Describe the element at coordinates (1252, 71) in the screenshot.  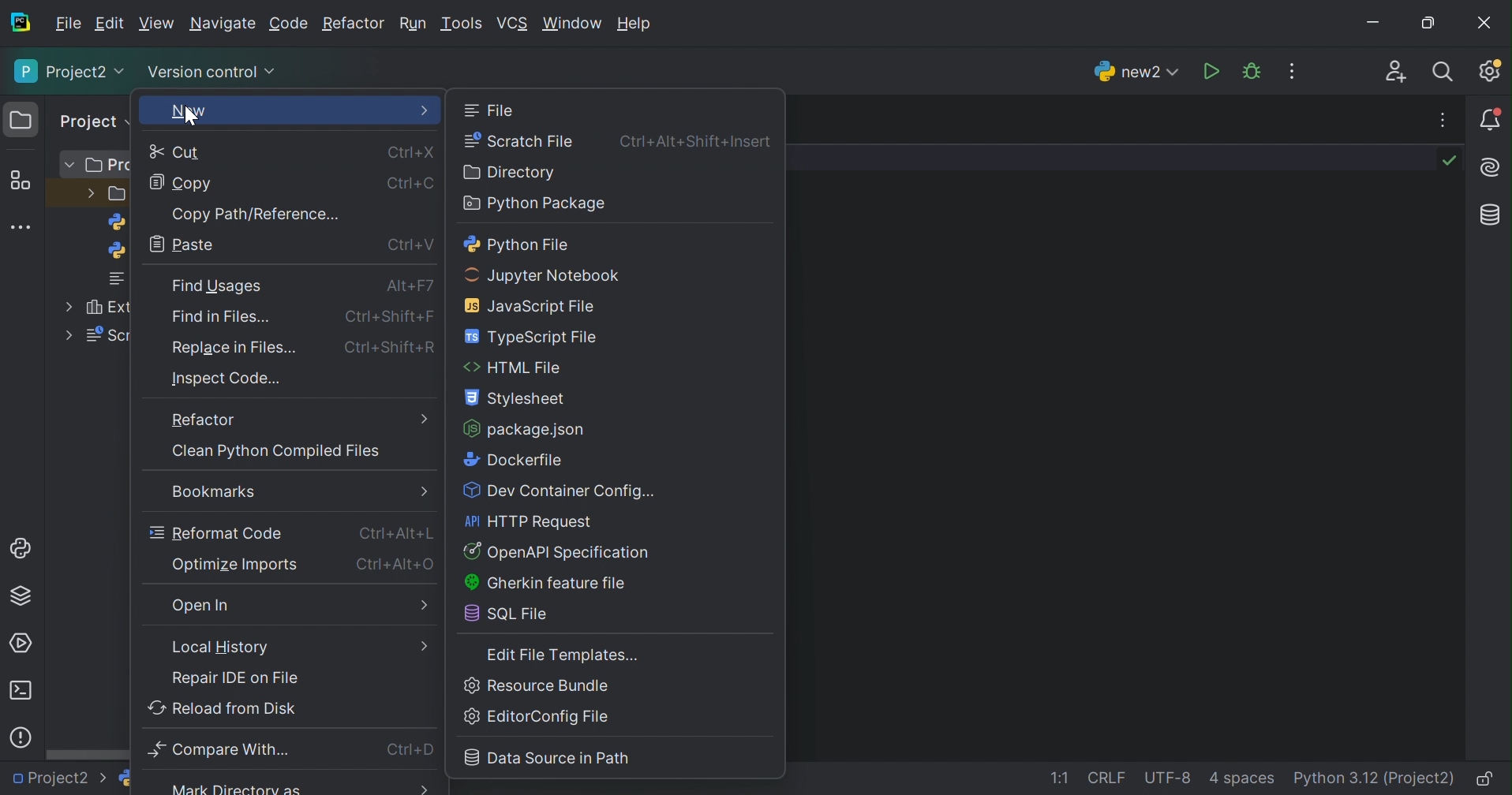
I see `Debug` at that location.